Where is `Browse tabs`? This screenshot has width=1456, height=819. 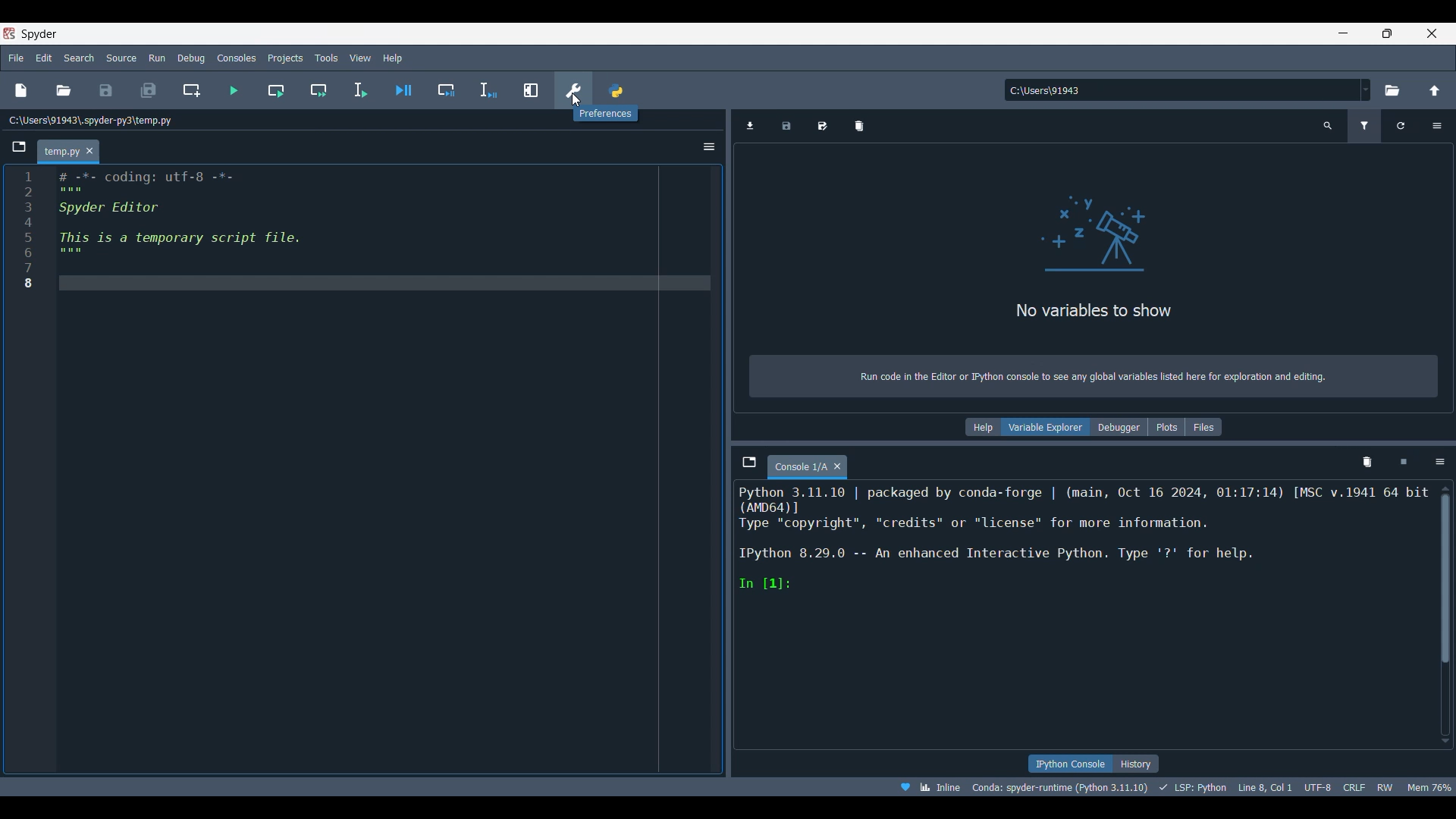 Browse tabs is located at coordinates (749, 463).